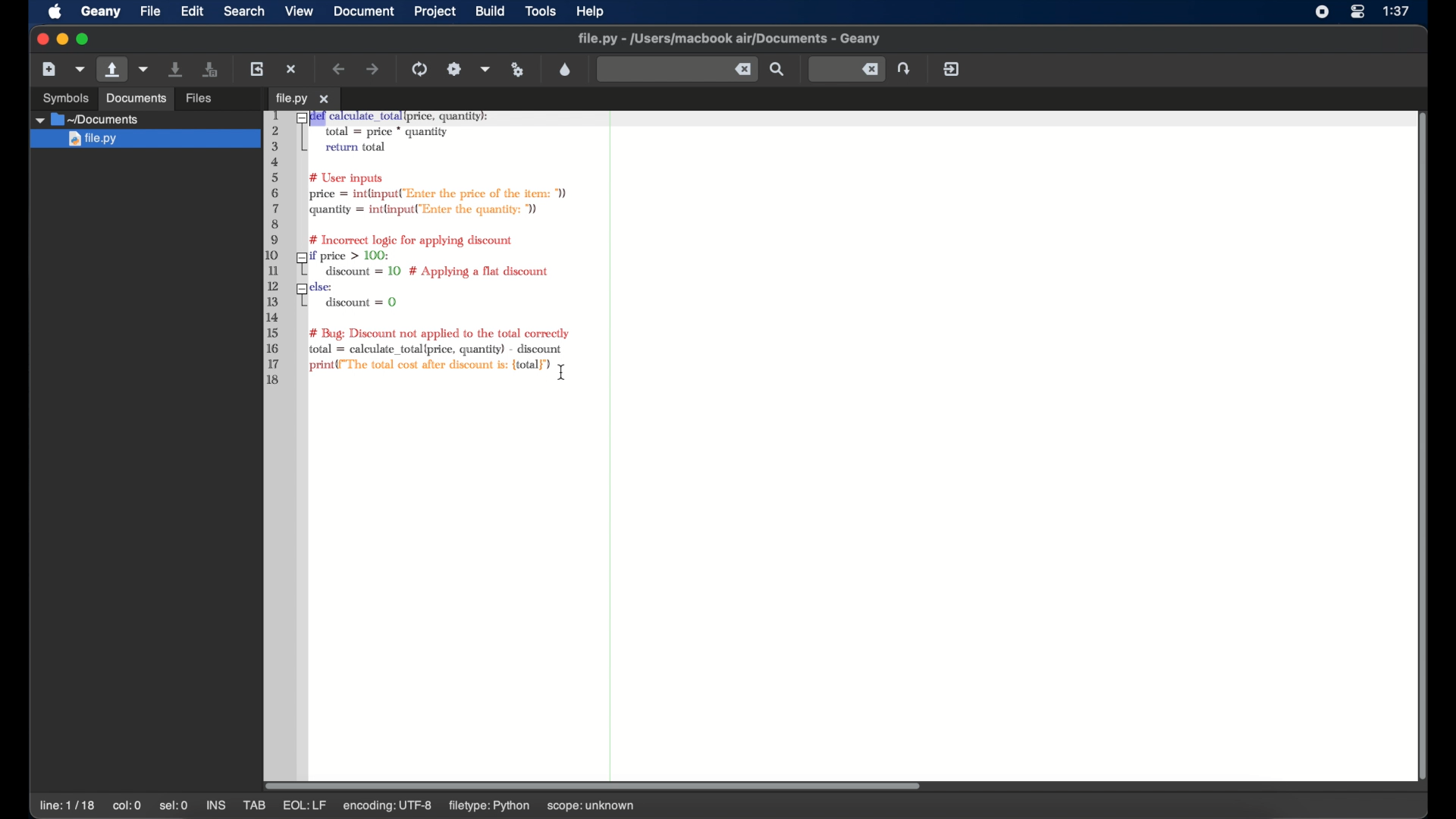 This screenshot has width=1456, height=819. What do you see at coordinates (491, 10) in the screenshot?
I see `build` at bounding box center [491, 10].